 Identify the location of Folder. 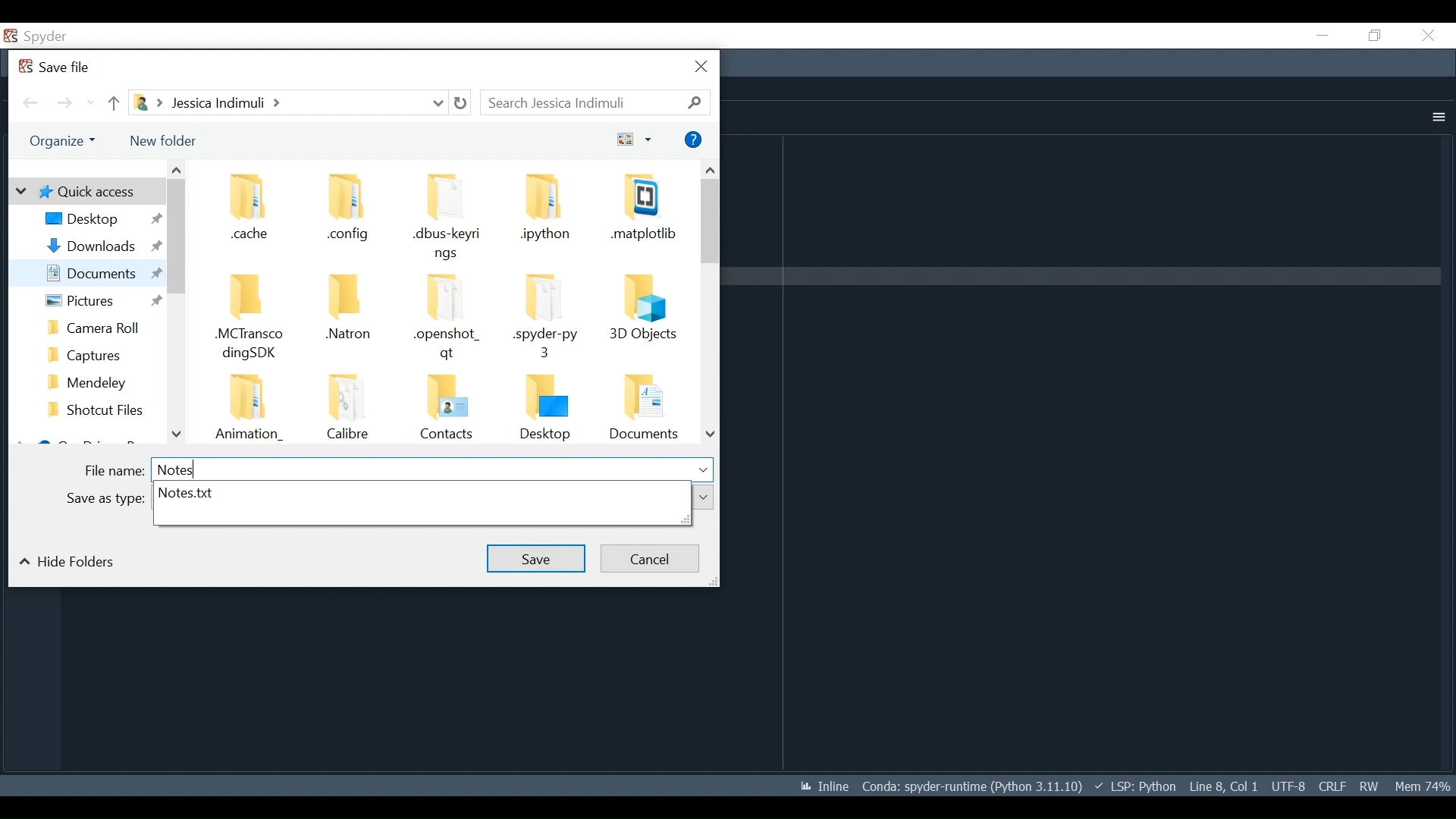
(344, 318).